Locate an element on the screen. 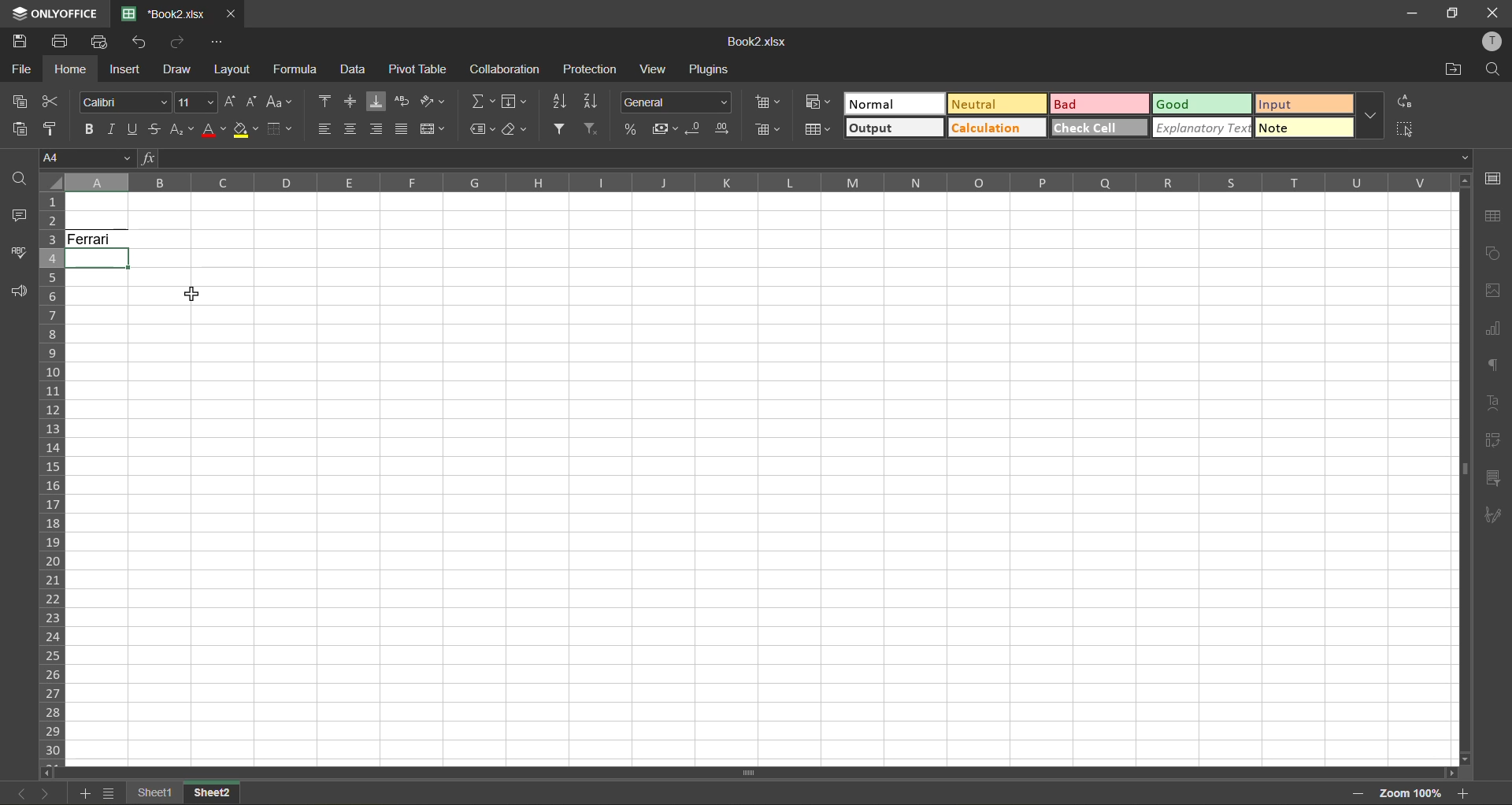  align bottom is located at coordinates (377, 101).